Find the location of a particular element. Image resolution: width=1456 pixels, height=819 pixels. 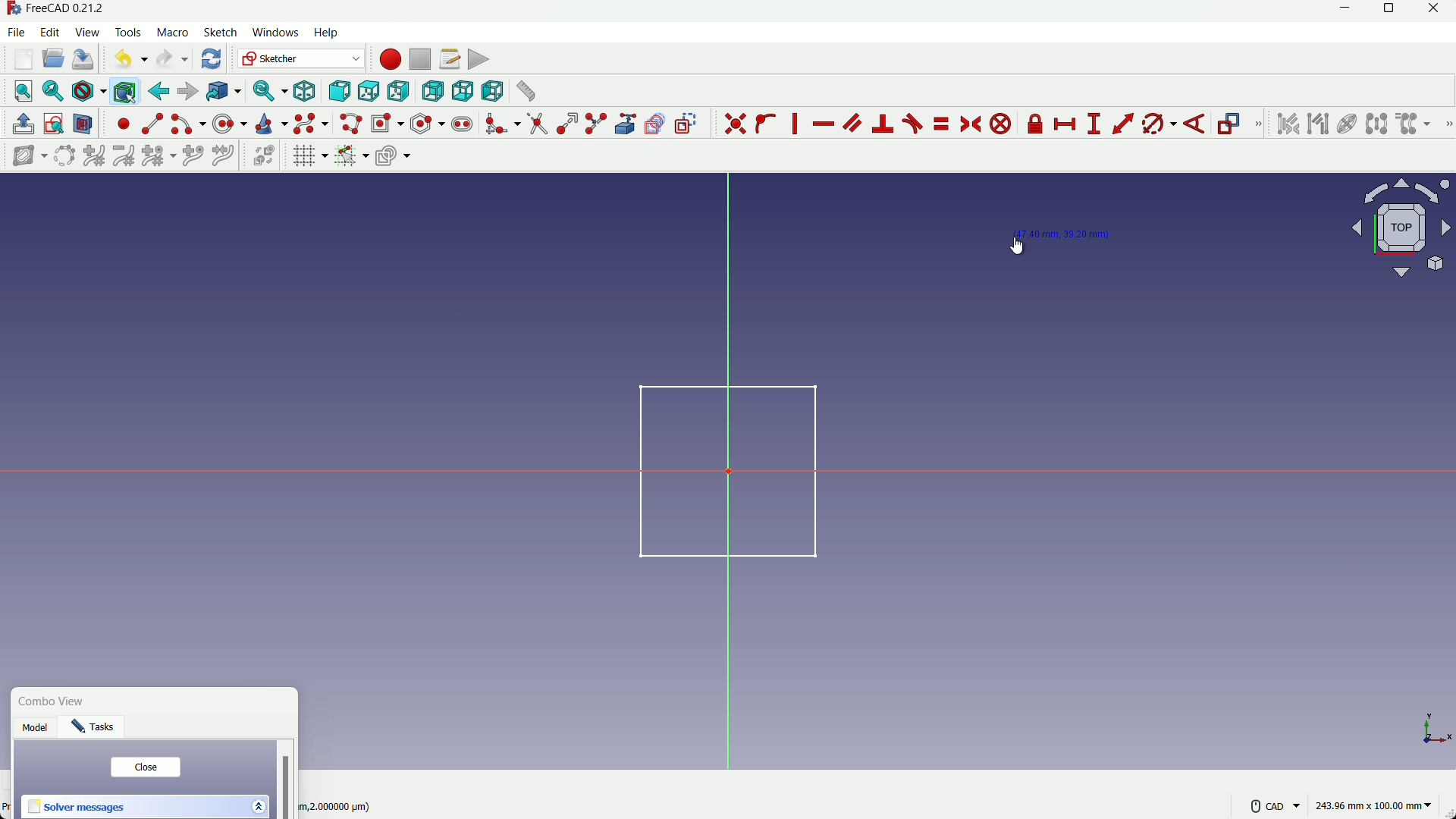

Expand is located at coordinates (258, 805).